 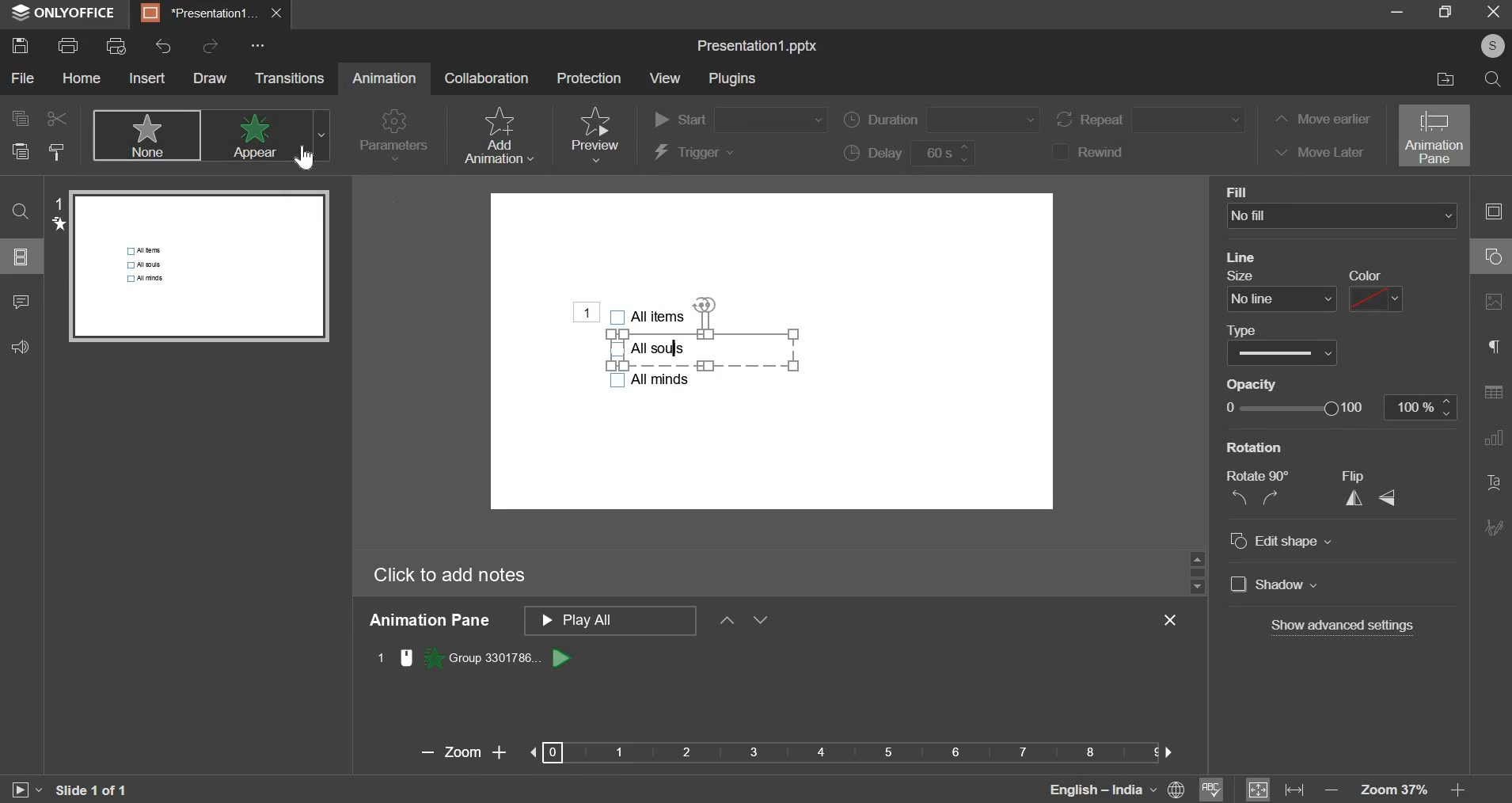 I want to click on protection, so click(x=587, y=78).